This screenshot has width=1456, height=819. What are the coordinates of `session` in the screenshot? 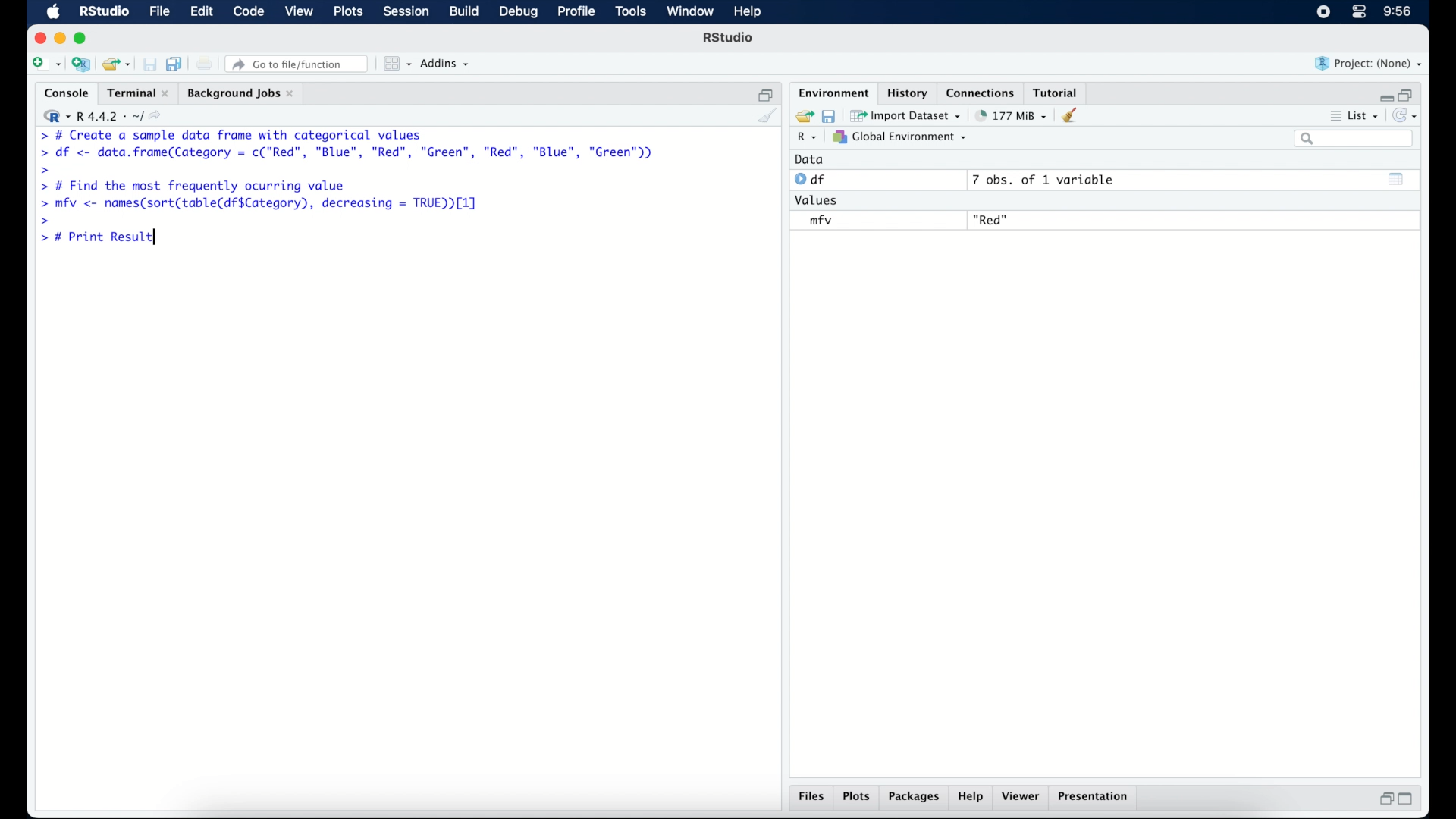 It's located at (406, 12).